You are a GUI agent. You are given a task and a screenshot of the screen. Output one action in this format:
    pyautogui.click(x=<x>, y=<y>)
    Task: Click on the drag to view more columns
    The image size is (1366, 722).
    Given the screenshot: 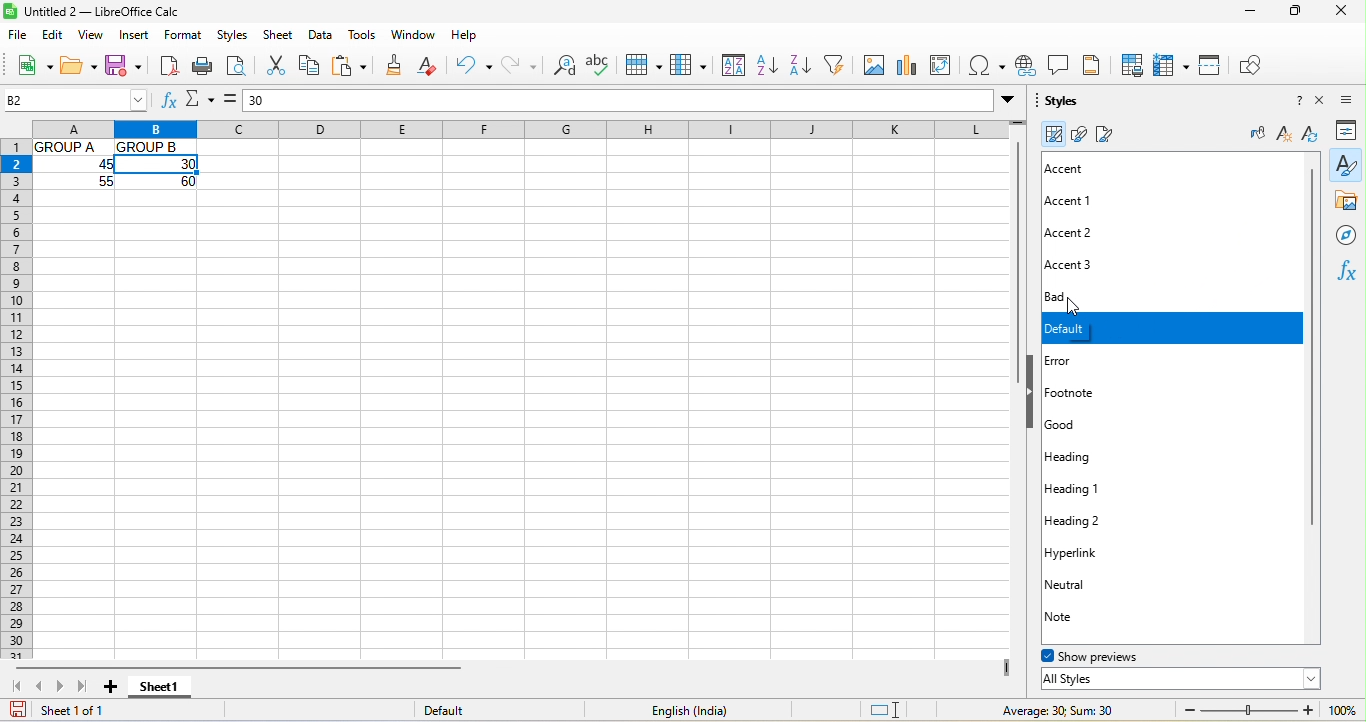 What is the action you would take?
    pyautogui.click(x=1006, y=665)
    